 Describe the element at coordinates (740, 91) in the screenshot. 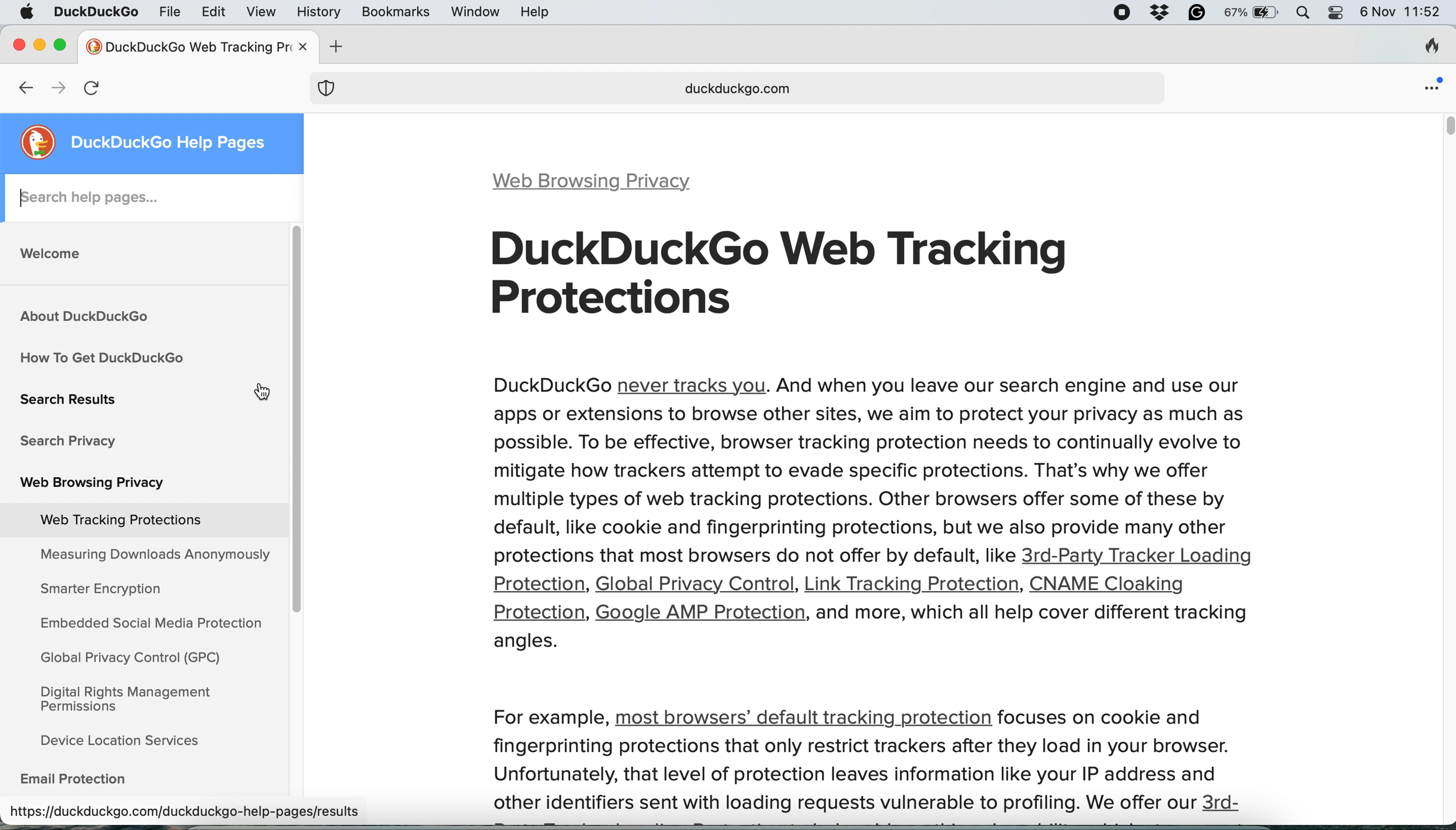

I see `web address` at that location.